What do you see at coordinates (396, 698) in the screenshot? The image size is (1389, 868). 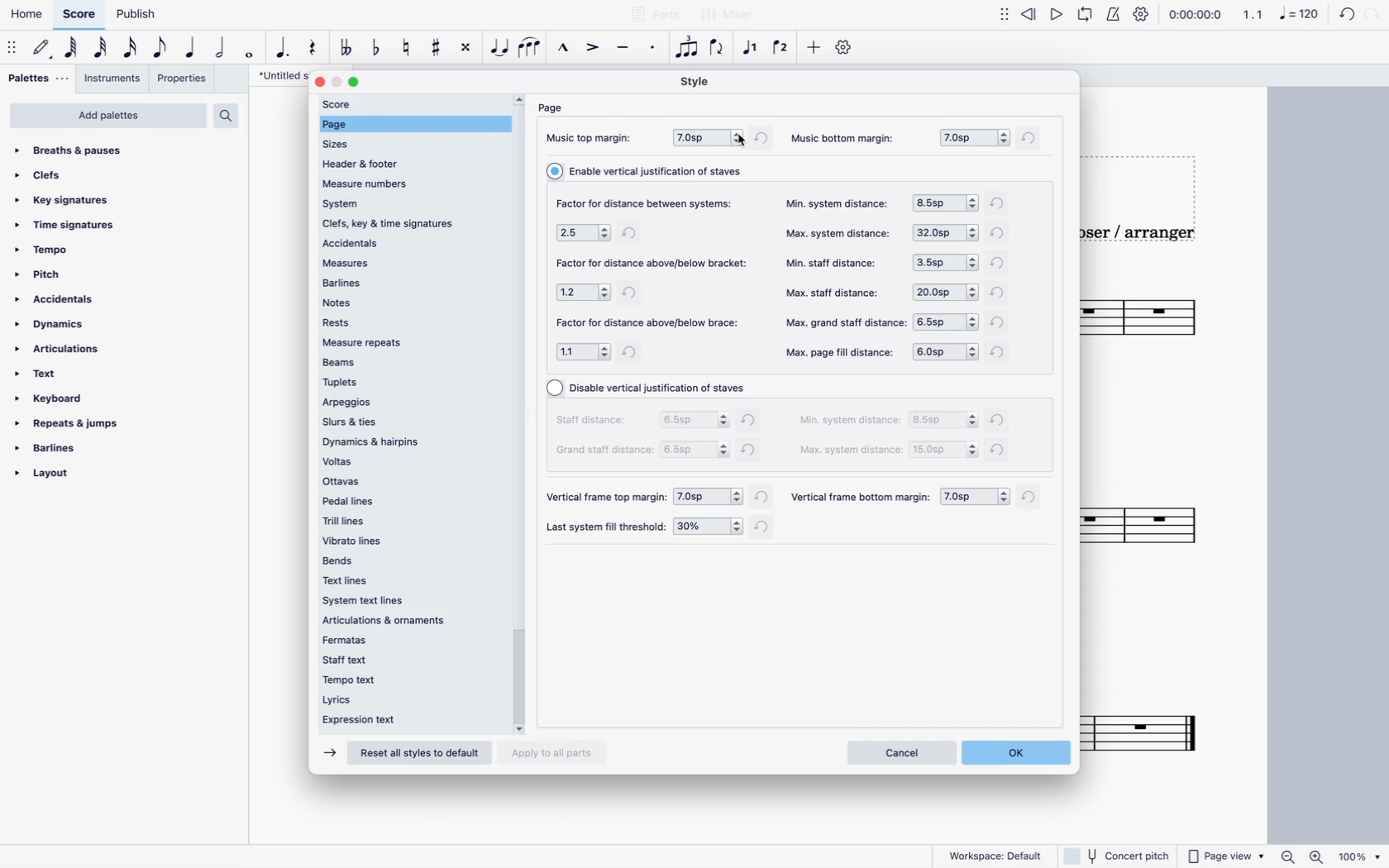 I see `lyrics` at bounding box center [396, 698].